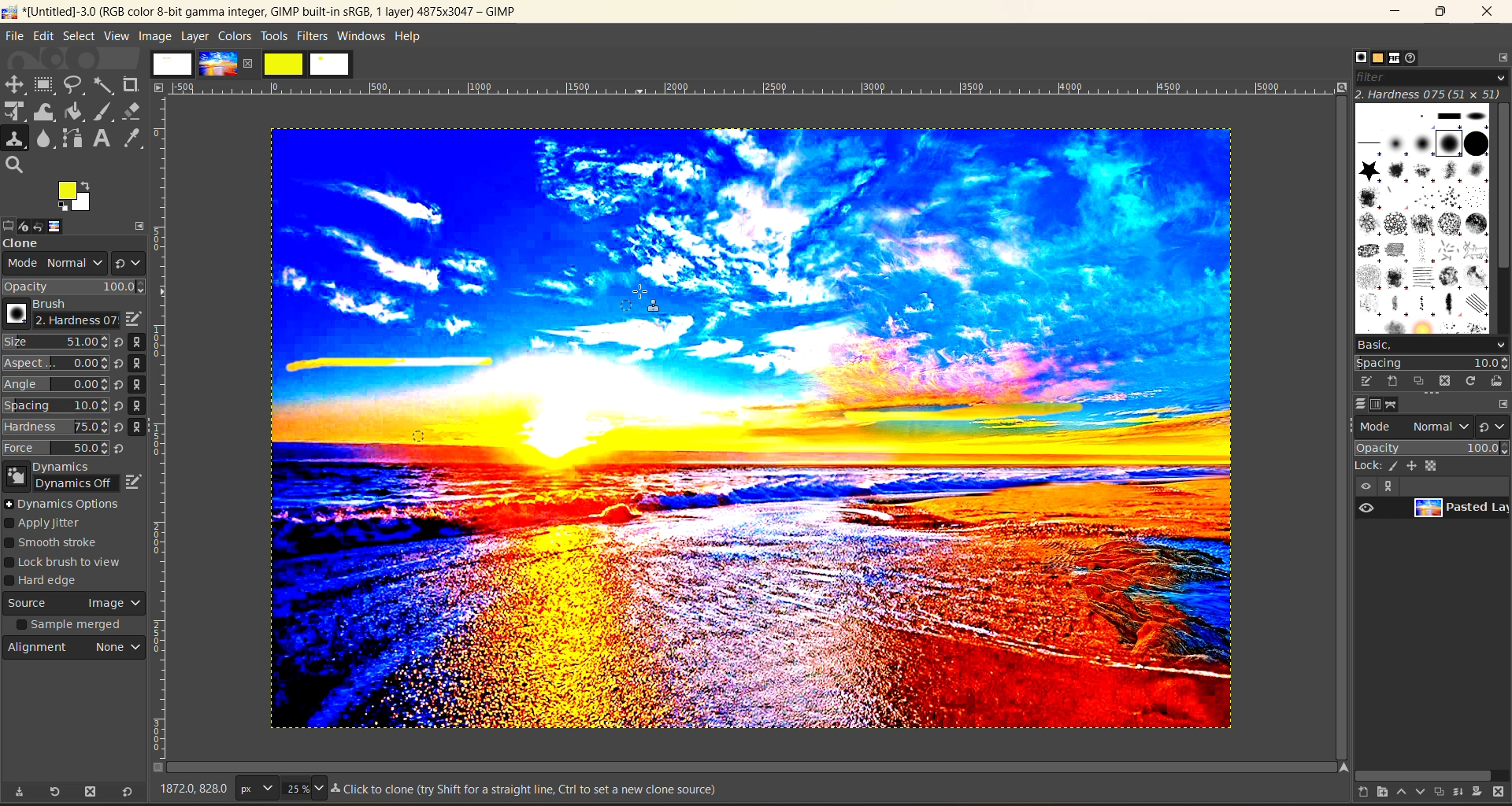 The width and height of the screenshot is (1512, 806). I want to click on size, so click(303, 788).